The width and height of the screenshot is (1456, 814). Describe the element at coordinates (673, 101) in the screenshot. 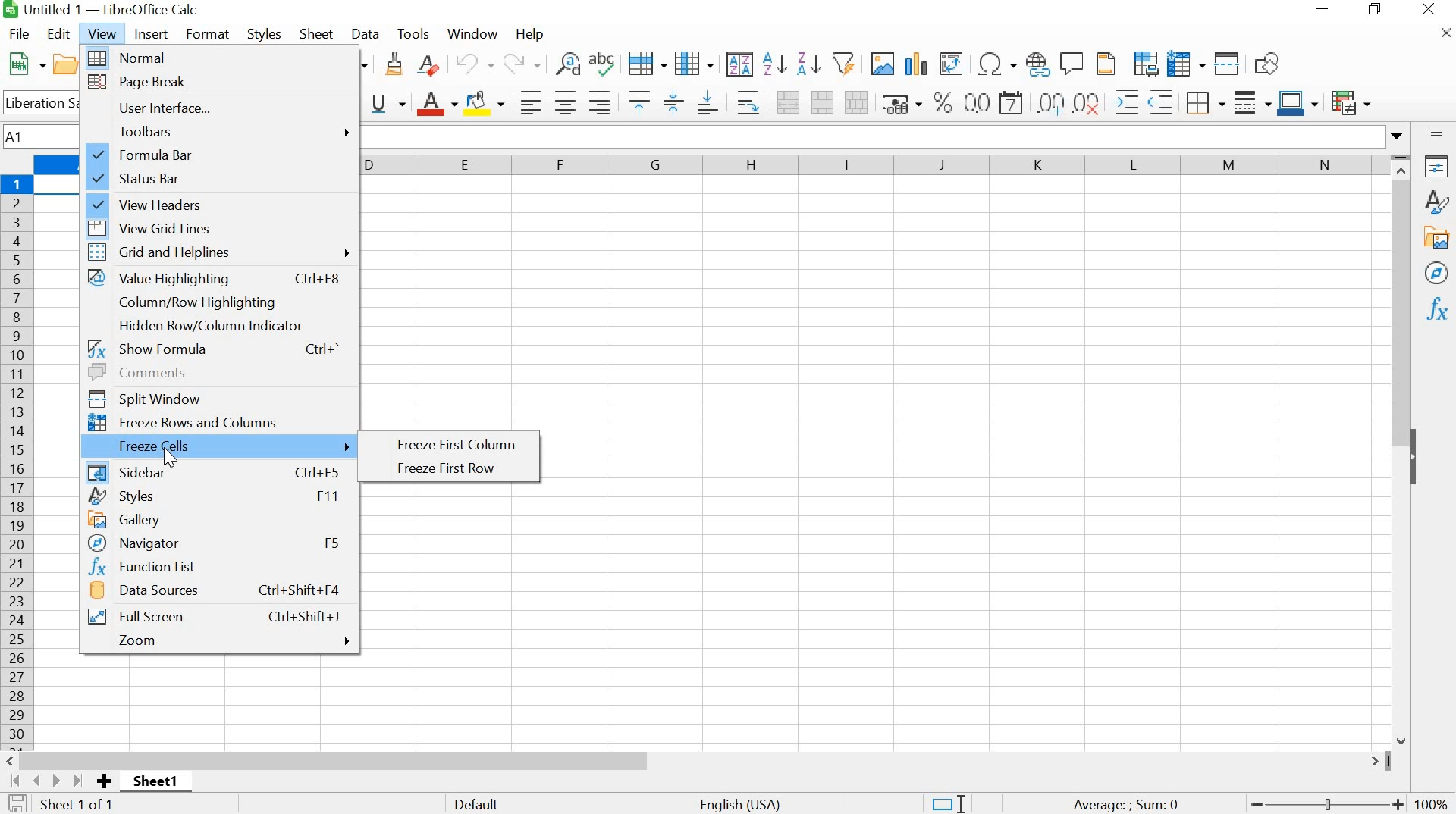

I see `CENTER VERTICALLY` at that location.